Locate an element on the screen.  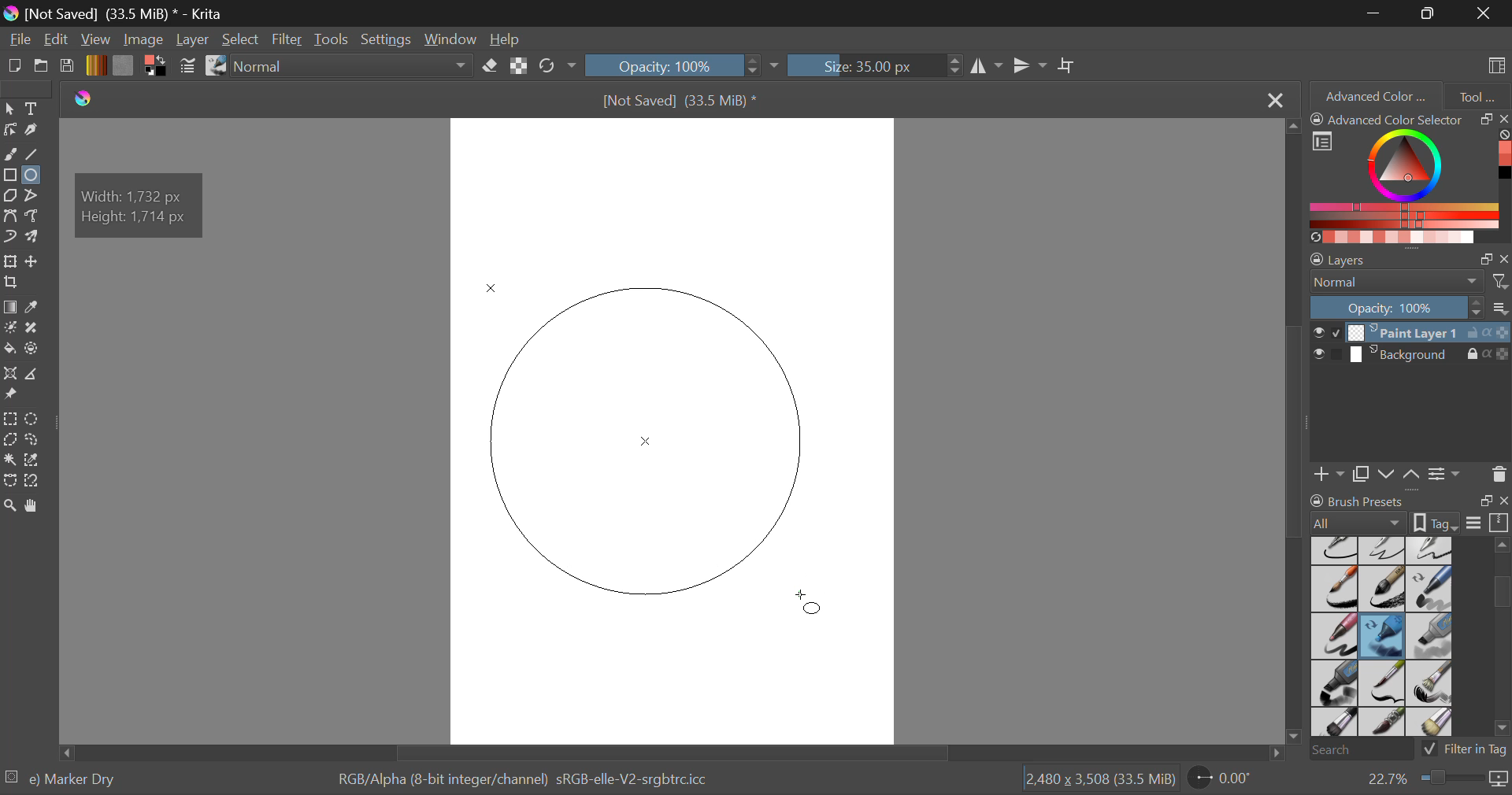
Elipses Selected is located at coordinates (35, 174).